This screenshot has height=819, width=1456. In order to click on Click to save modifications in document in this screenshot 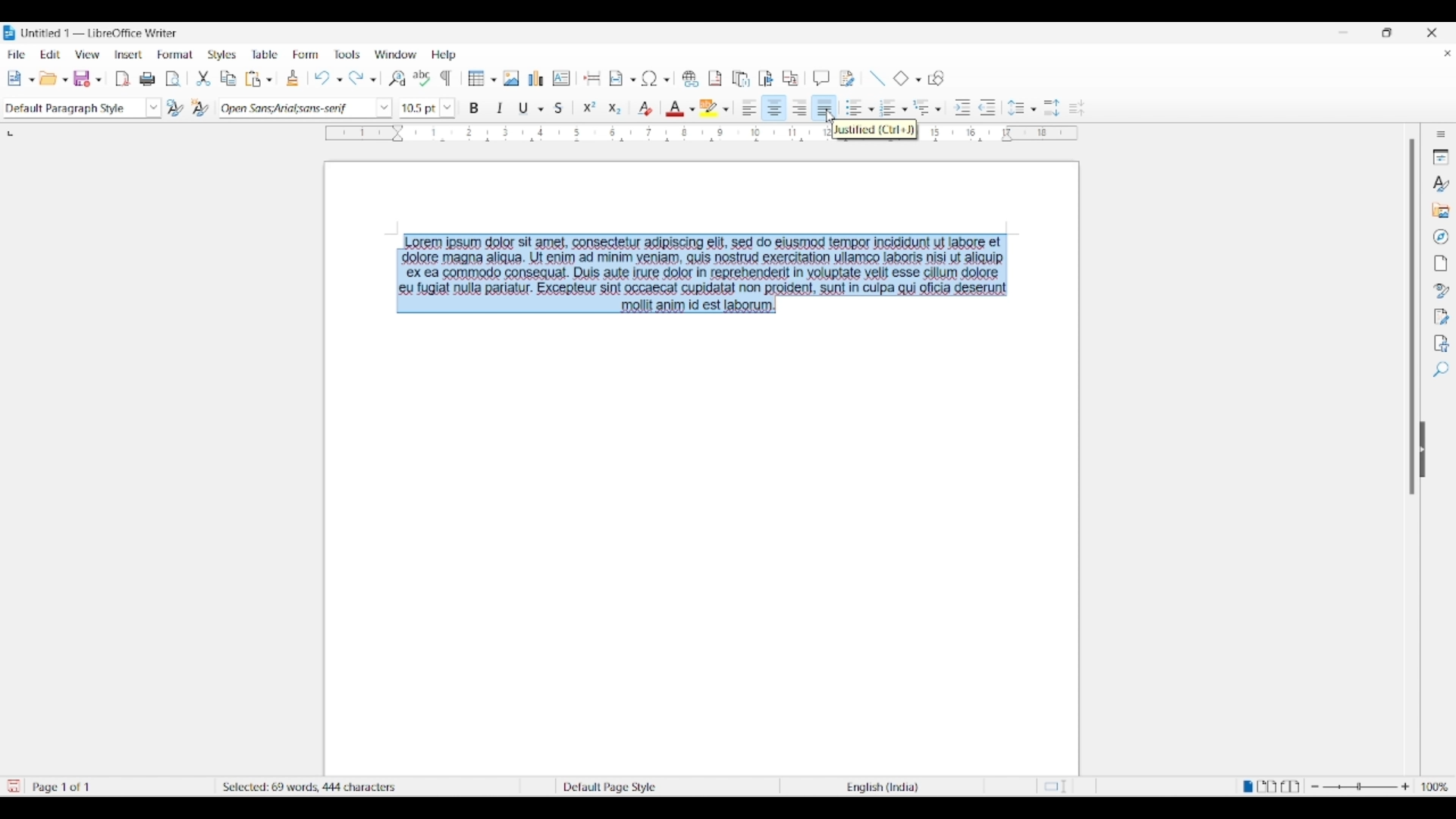, I will do `click(12, 786)`.